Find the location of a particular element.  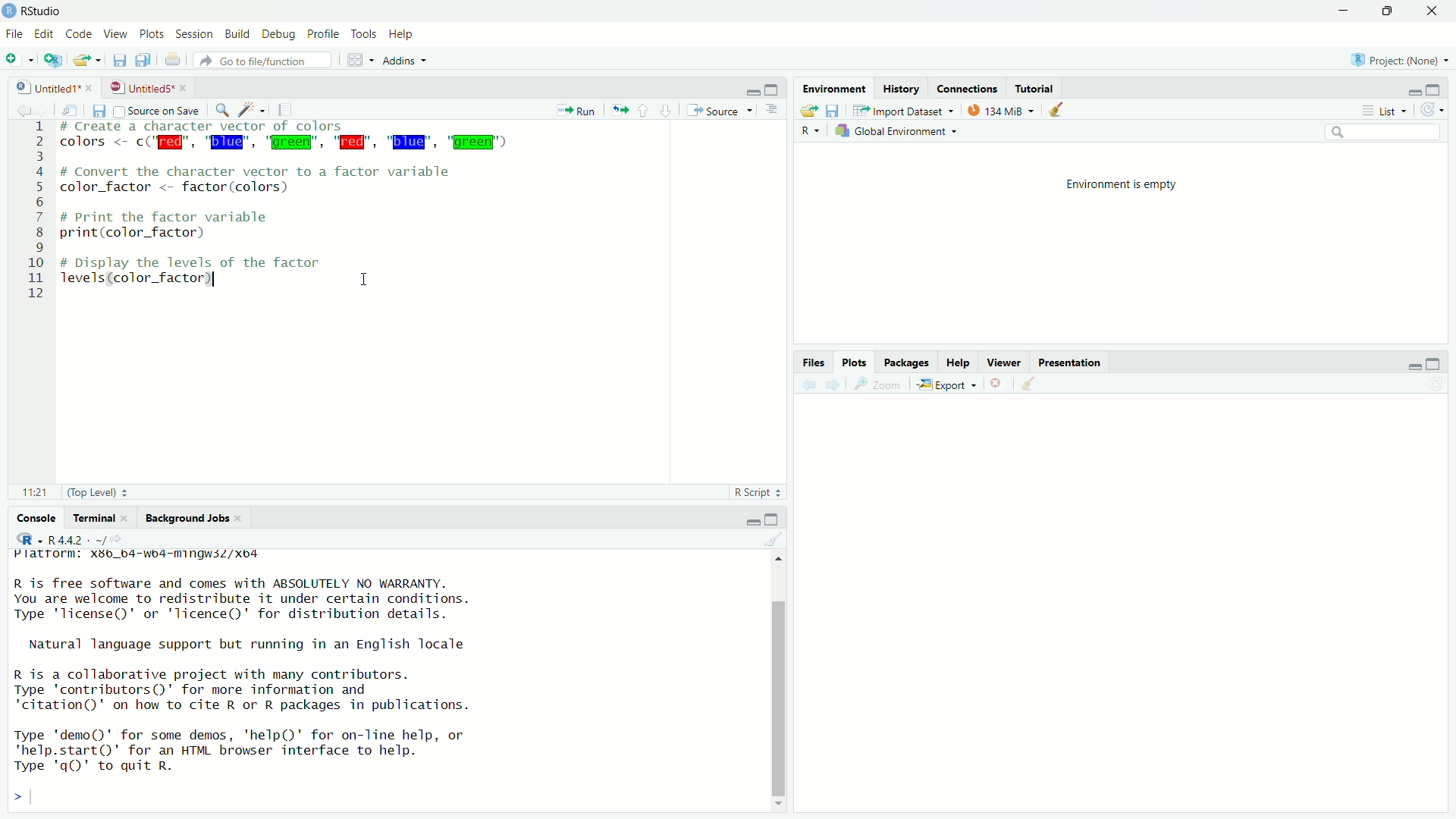

 is located at coordinates (31, 217).